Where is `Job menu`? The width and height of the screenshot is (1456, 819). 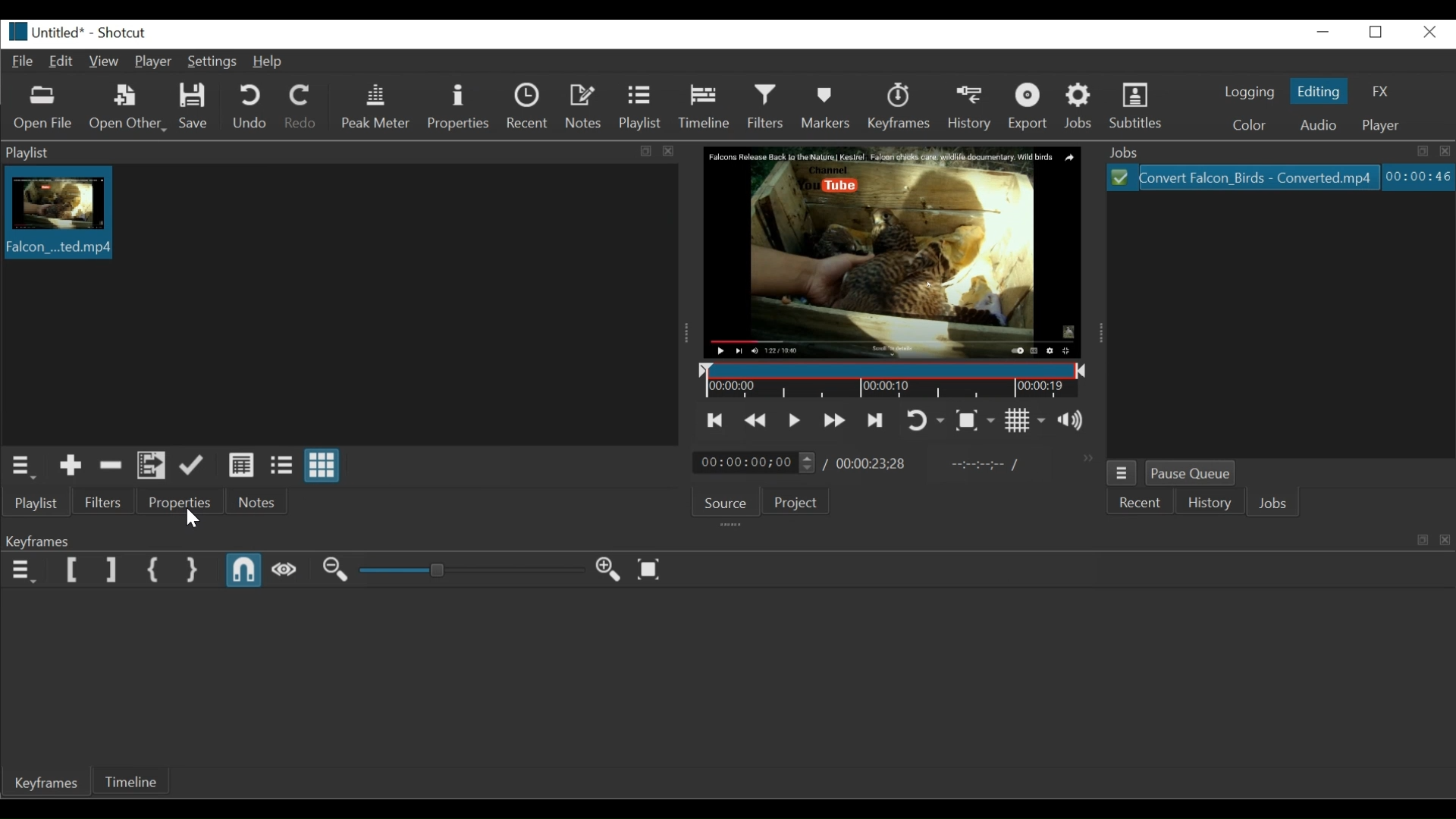 Job menu is located at coordinates (1121, 472).